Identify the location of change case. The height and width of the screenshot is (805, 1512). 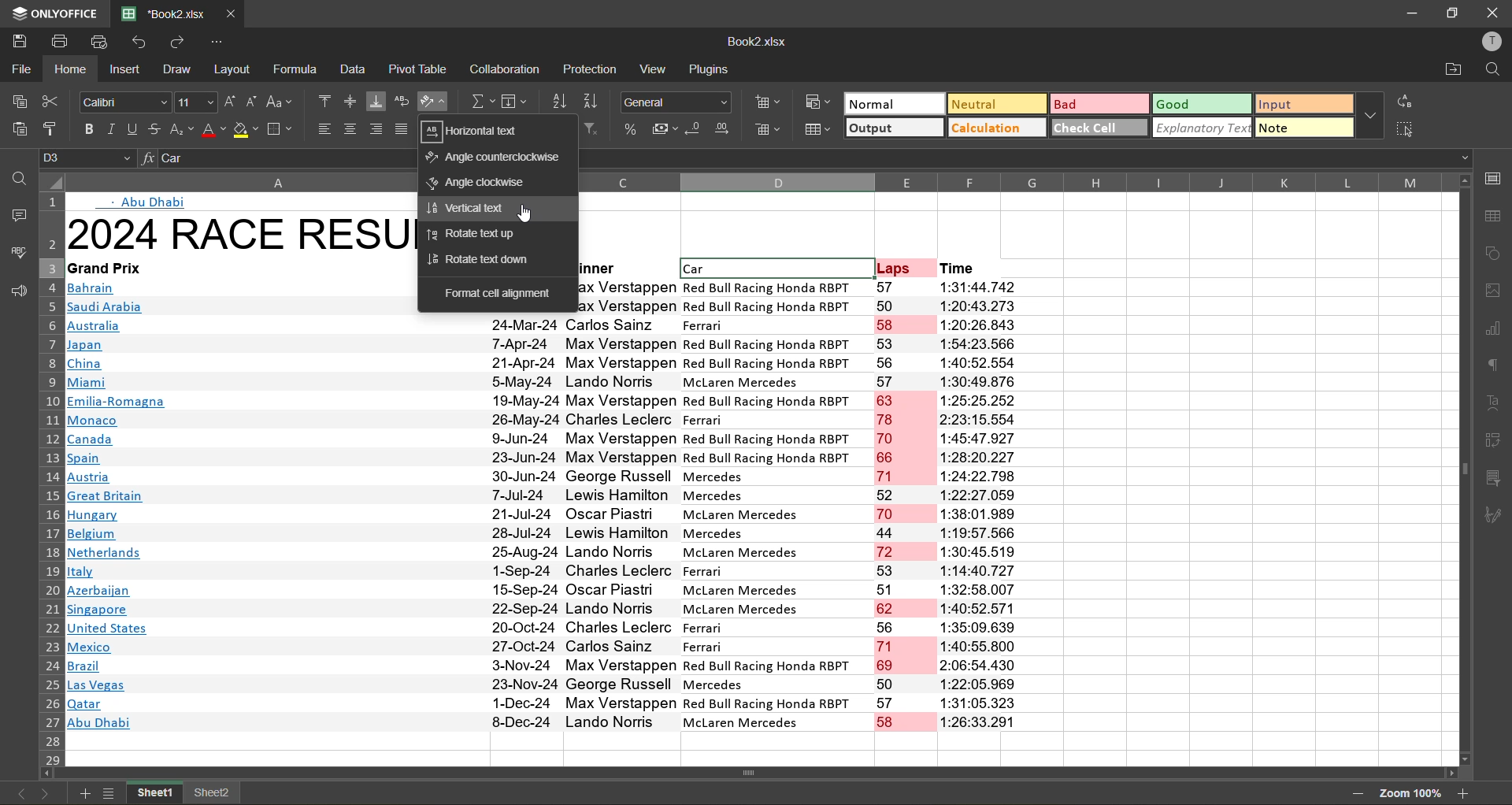
(283, 102).